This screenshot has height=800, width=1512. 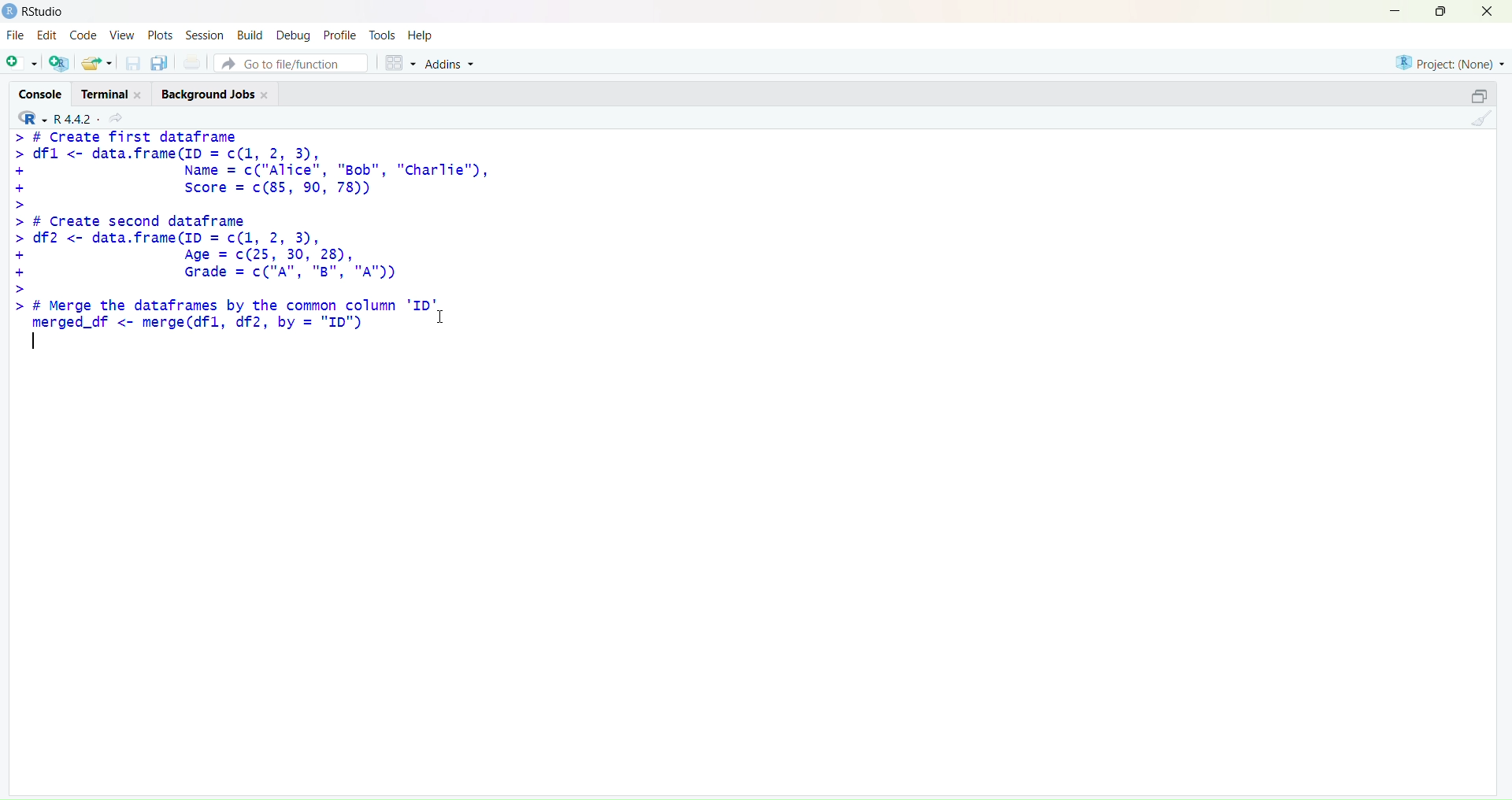 What do you see at coordinates (45, 12) in the screenshot?
I see `RStudio` at bounding box center [45, 12].